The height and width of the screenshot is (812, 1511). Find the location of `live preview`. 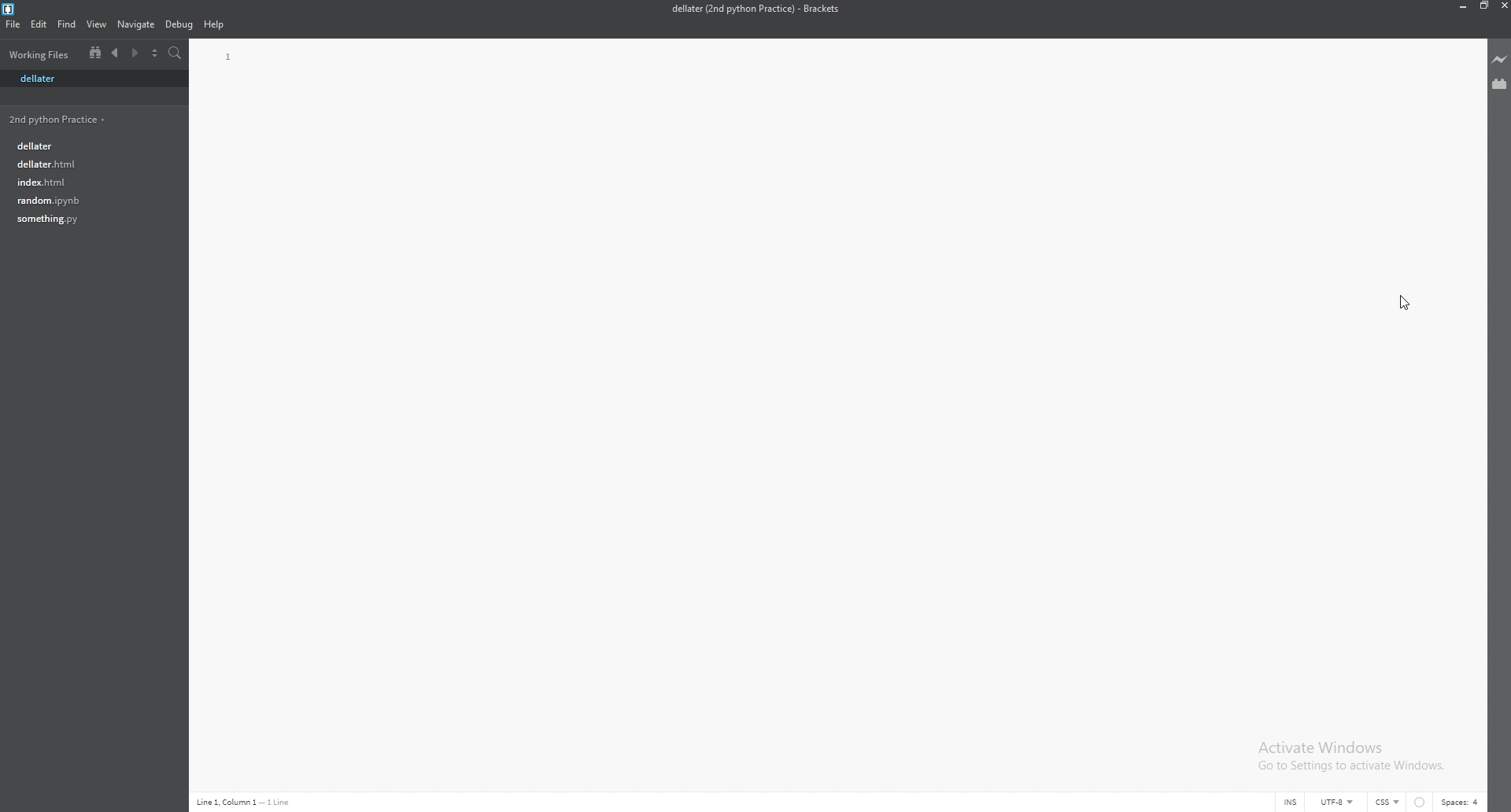

live preview is located at coordinates (1500, 59).